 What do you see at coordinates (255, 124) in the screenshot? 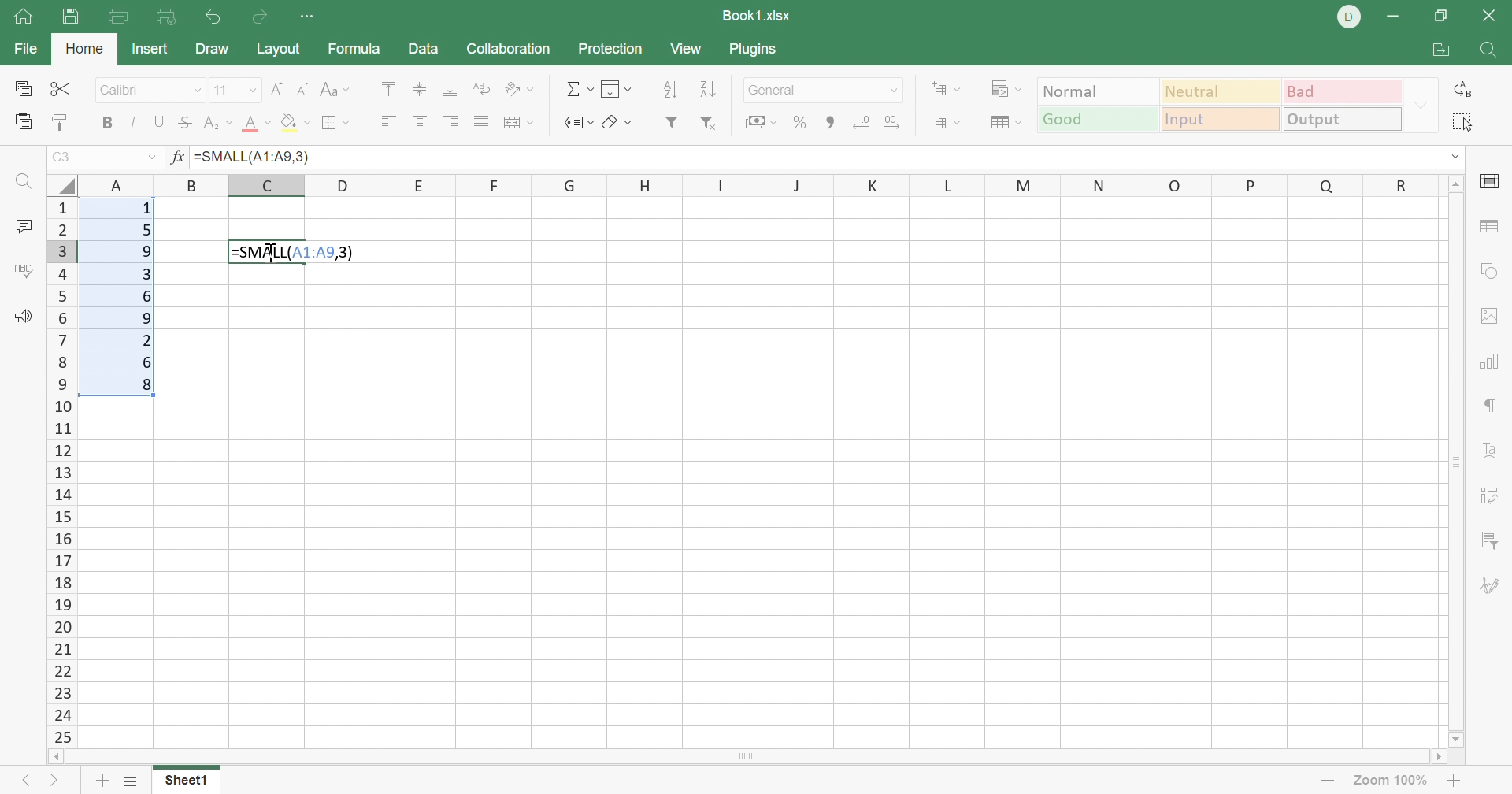
I see `Align top` at bounding box center [255, 124].